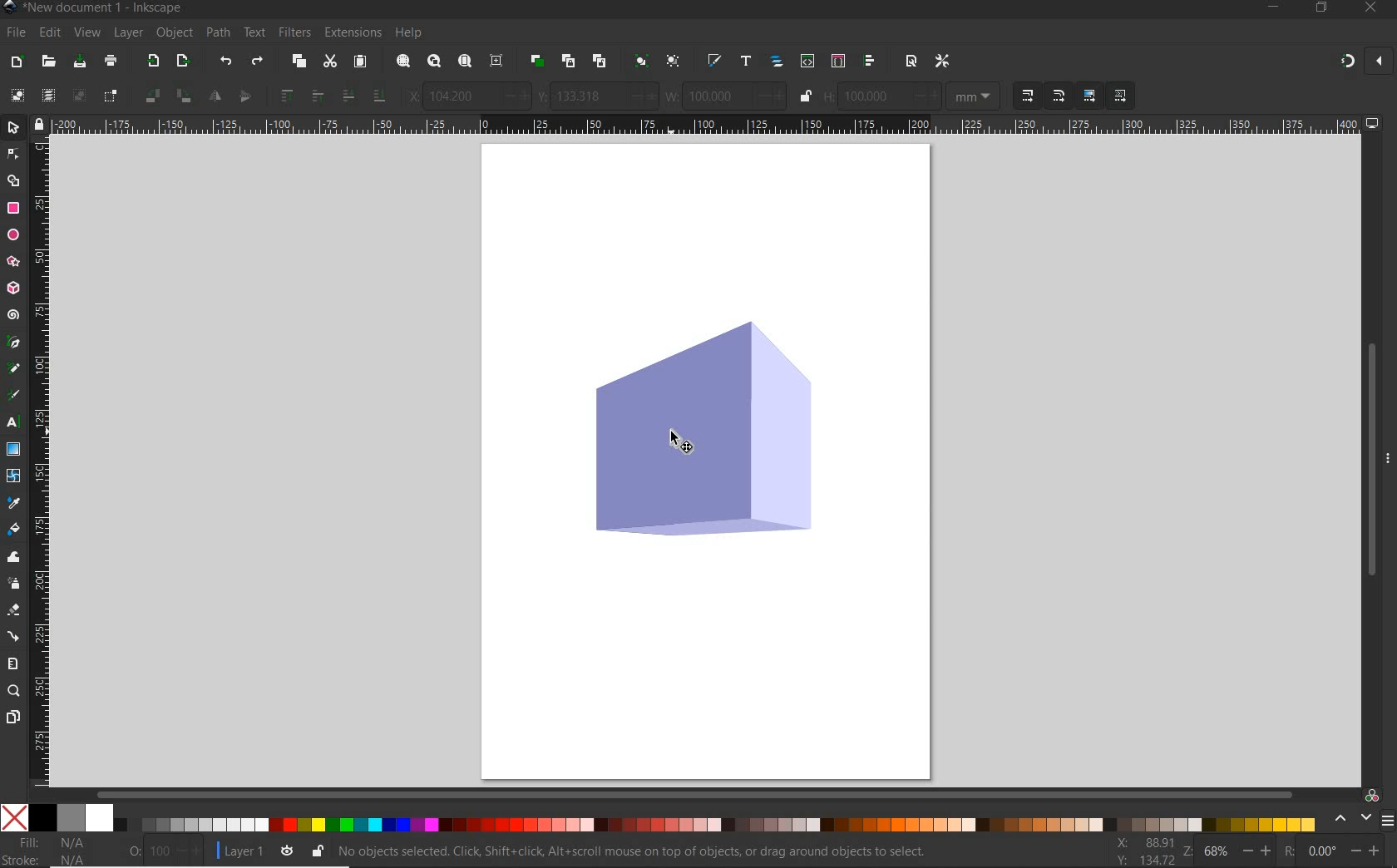 The height and width of the screenshot is (868, 1397). I want to click on ZOOM, so click(1186, 851).